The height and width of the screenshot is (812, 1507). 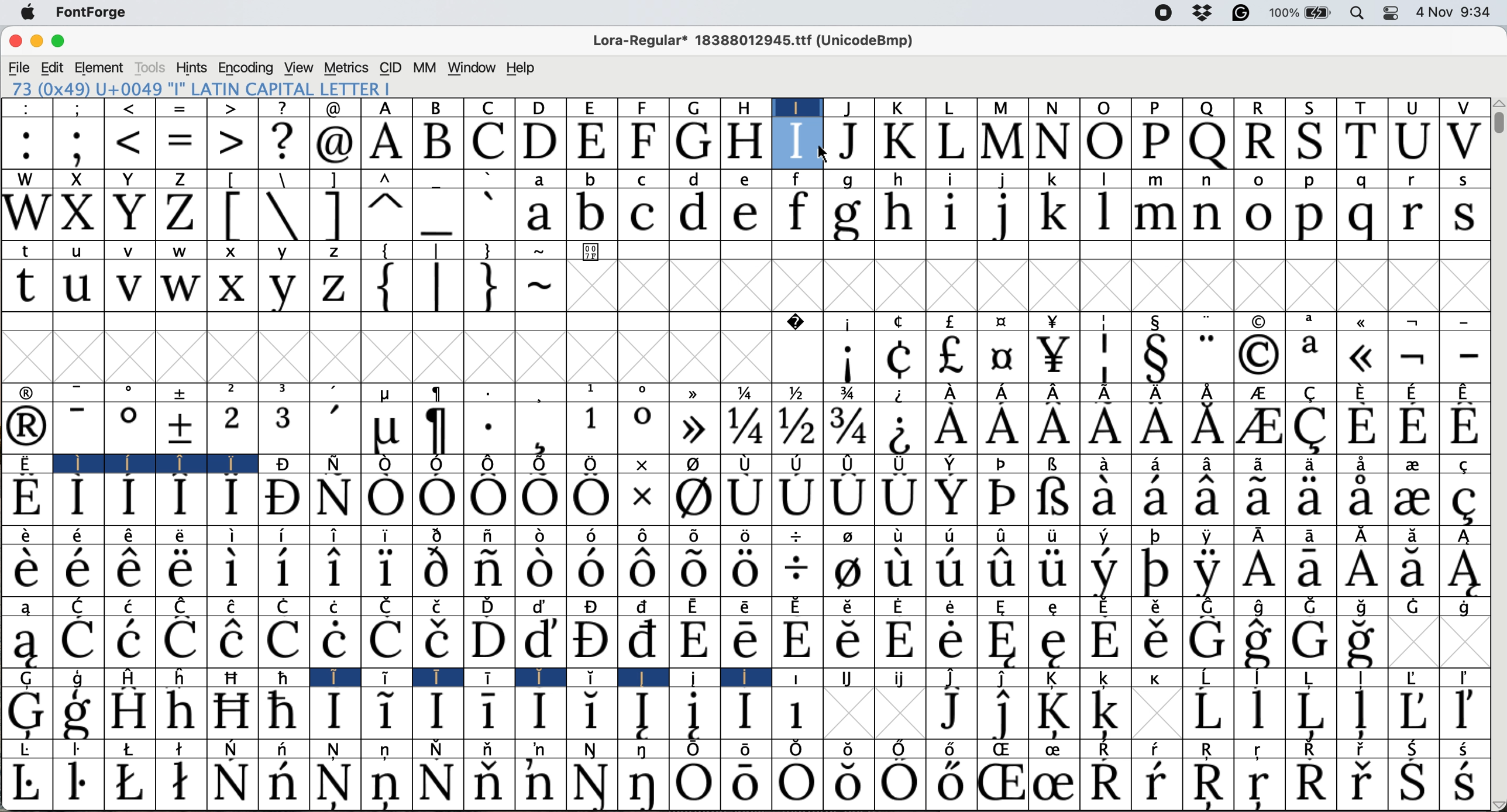 What do you see at coordinates (898, 464) in the screenshot?
I see `symbol` at bounding box center [898, 464].